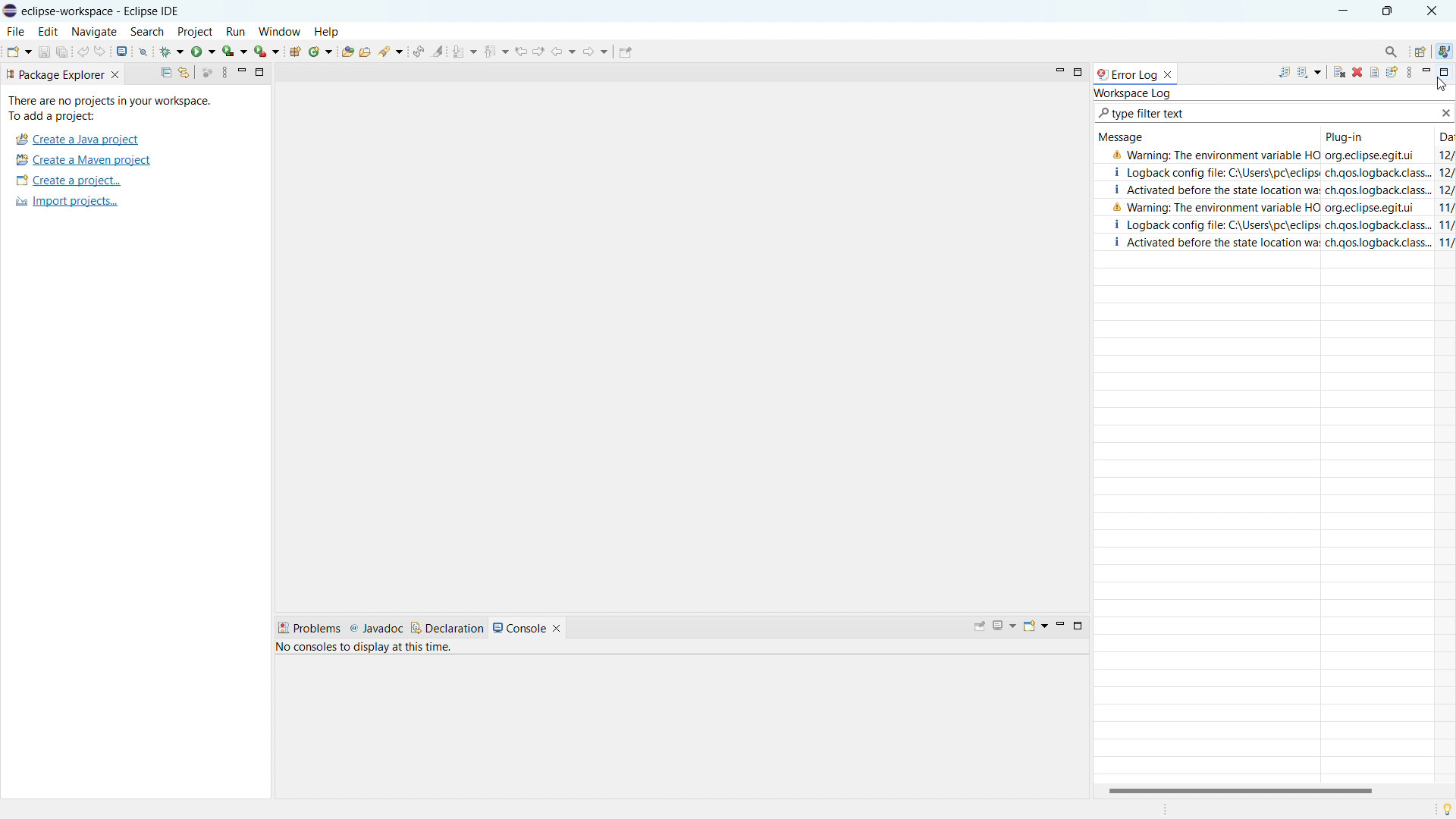 The height and width of the screenshot is (819, 1456). I want to click on search, so click(147, 32).